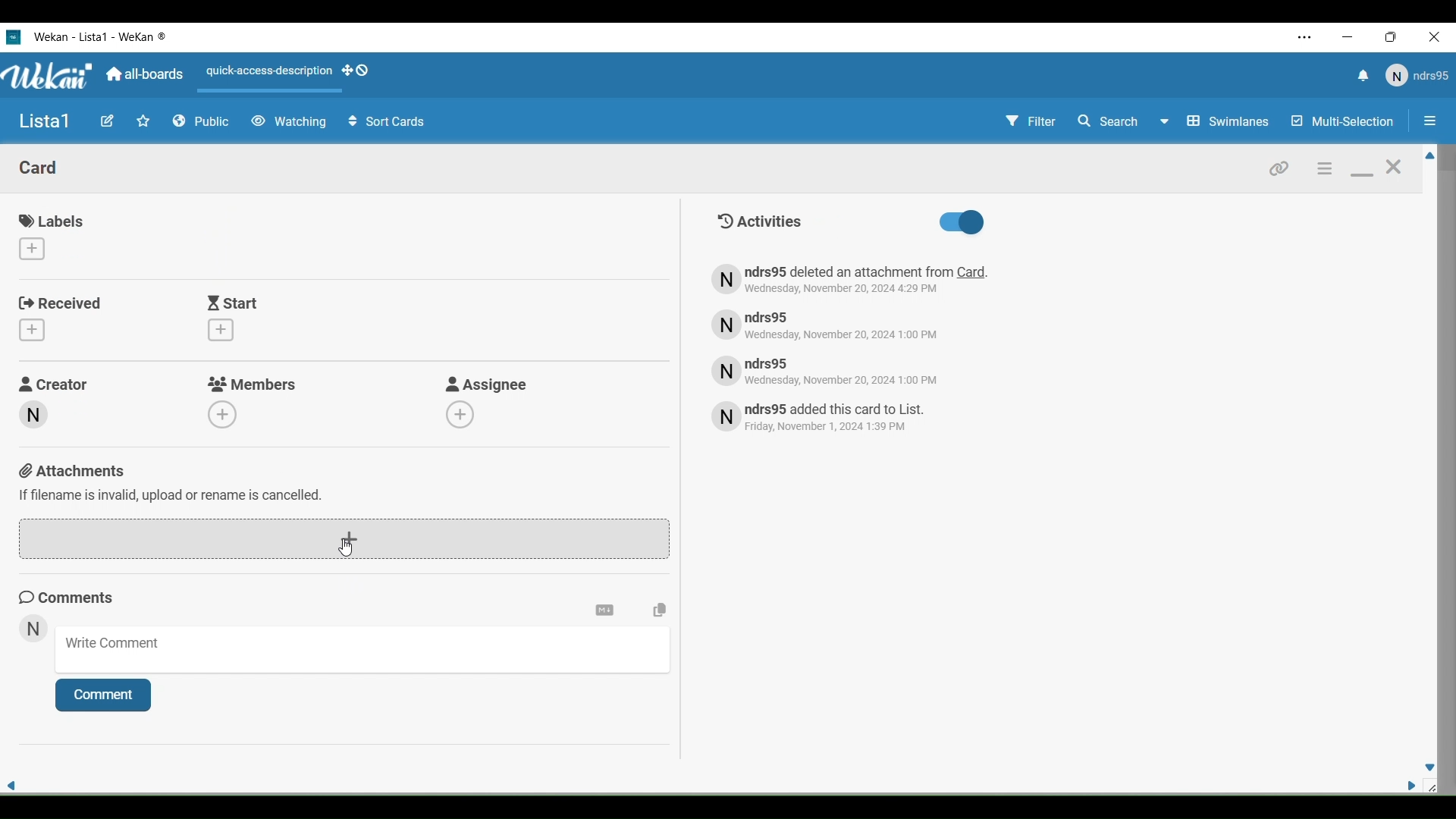 The image size is (1456, 819). Describe the element at coordinates (1416, 76) in the screenshot. I see `User` at that location.